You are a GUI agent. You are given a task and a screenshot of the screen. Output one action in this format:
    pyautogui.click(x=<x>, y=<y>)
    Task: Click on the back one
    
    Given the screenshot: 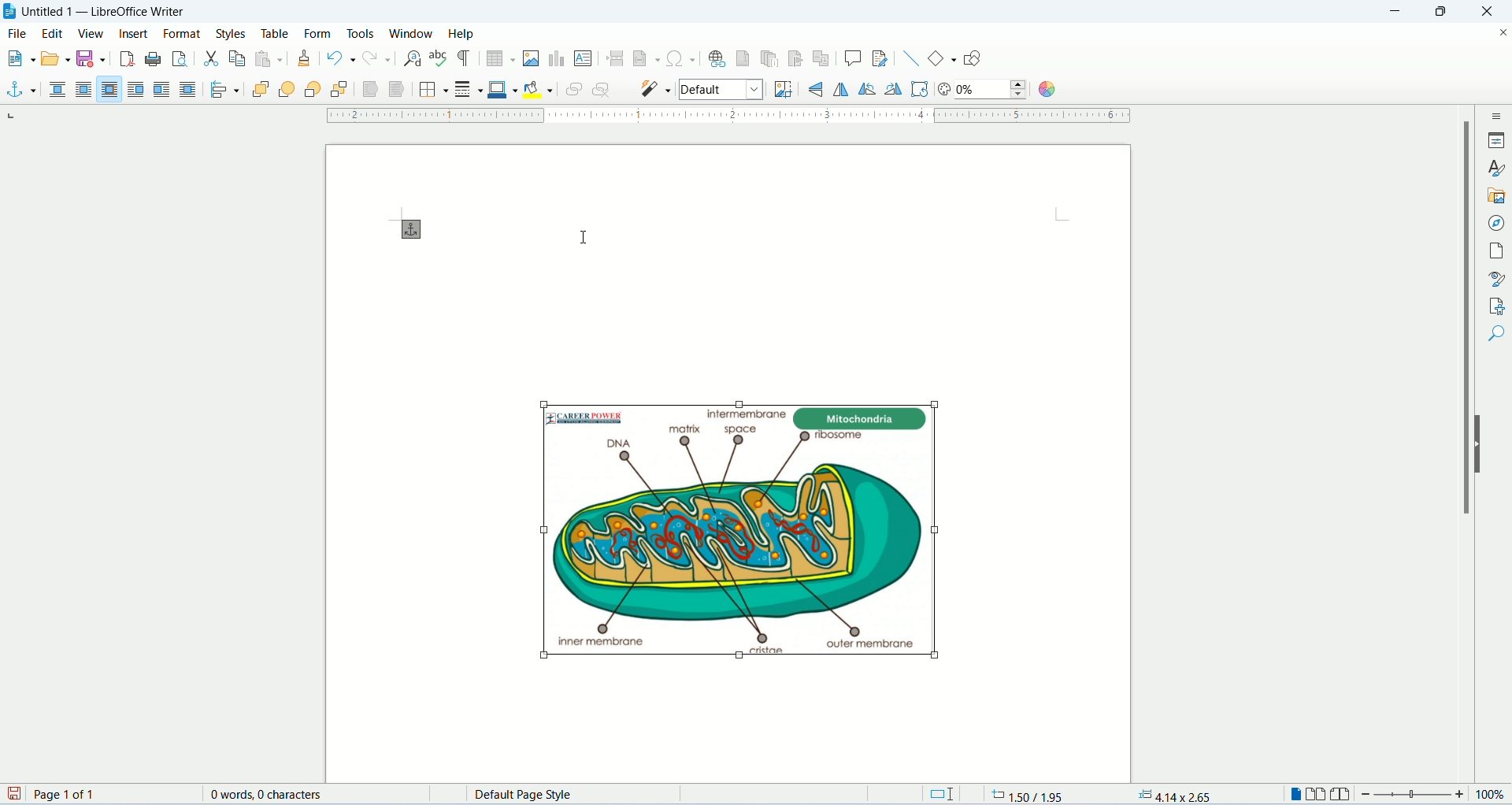 What is the action you would take?
    pyautogui.click(x=311, y=91)
    